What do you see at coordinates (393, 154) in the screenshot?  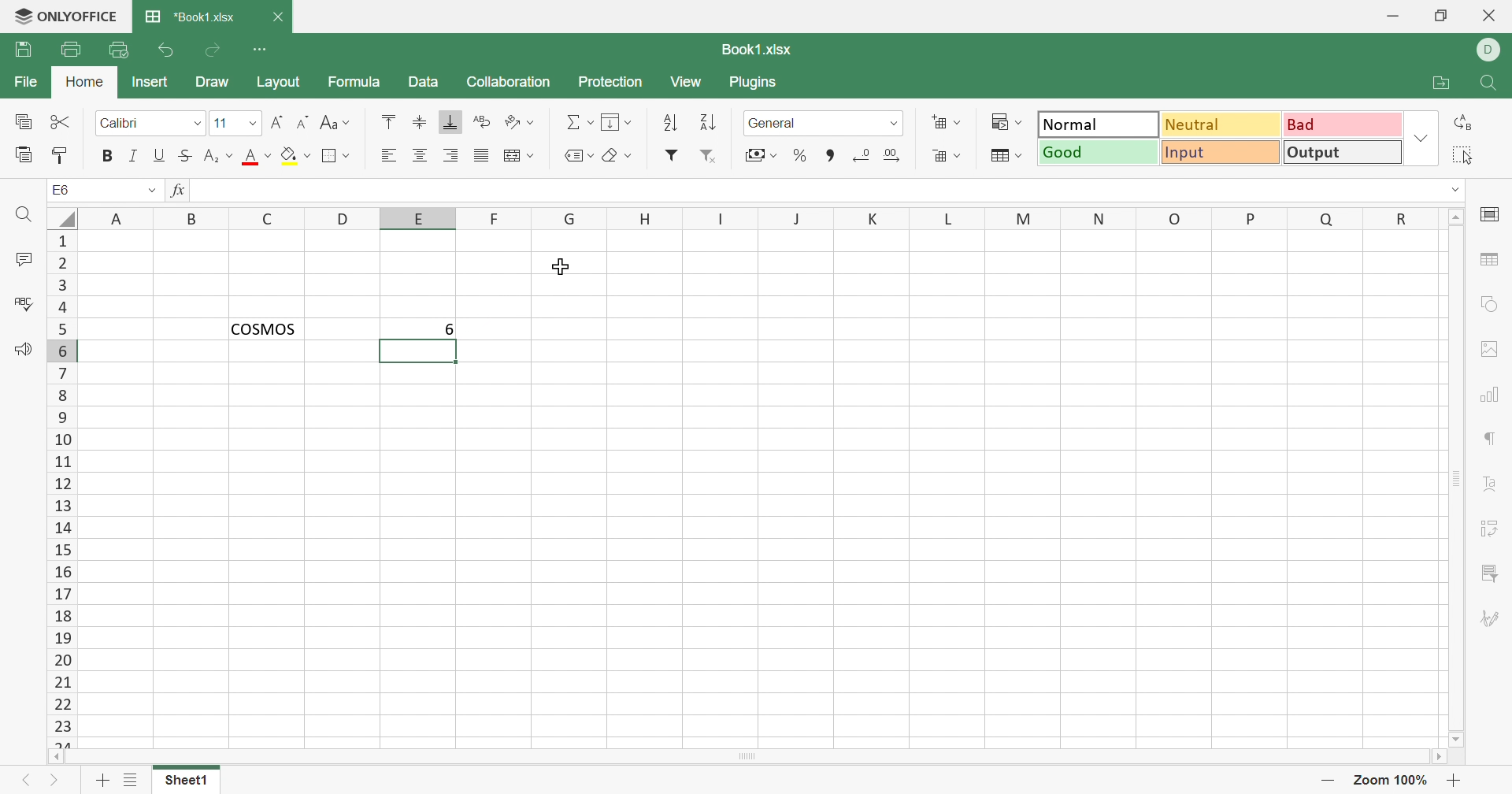 I see `Align Left` at bounding box center [393, 154].